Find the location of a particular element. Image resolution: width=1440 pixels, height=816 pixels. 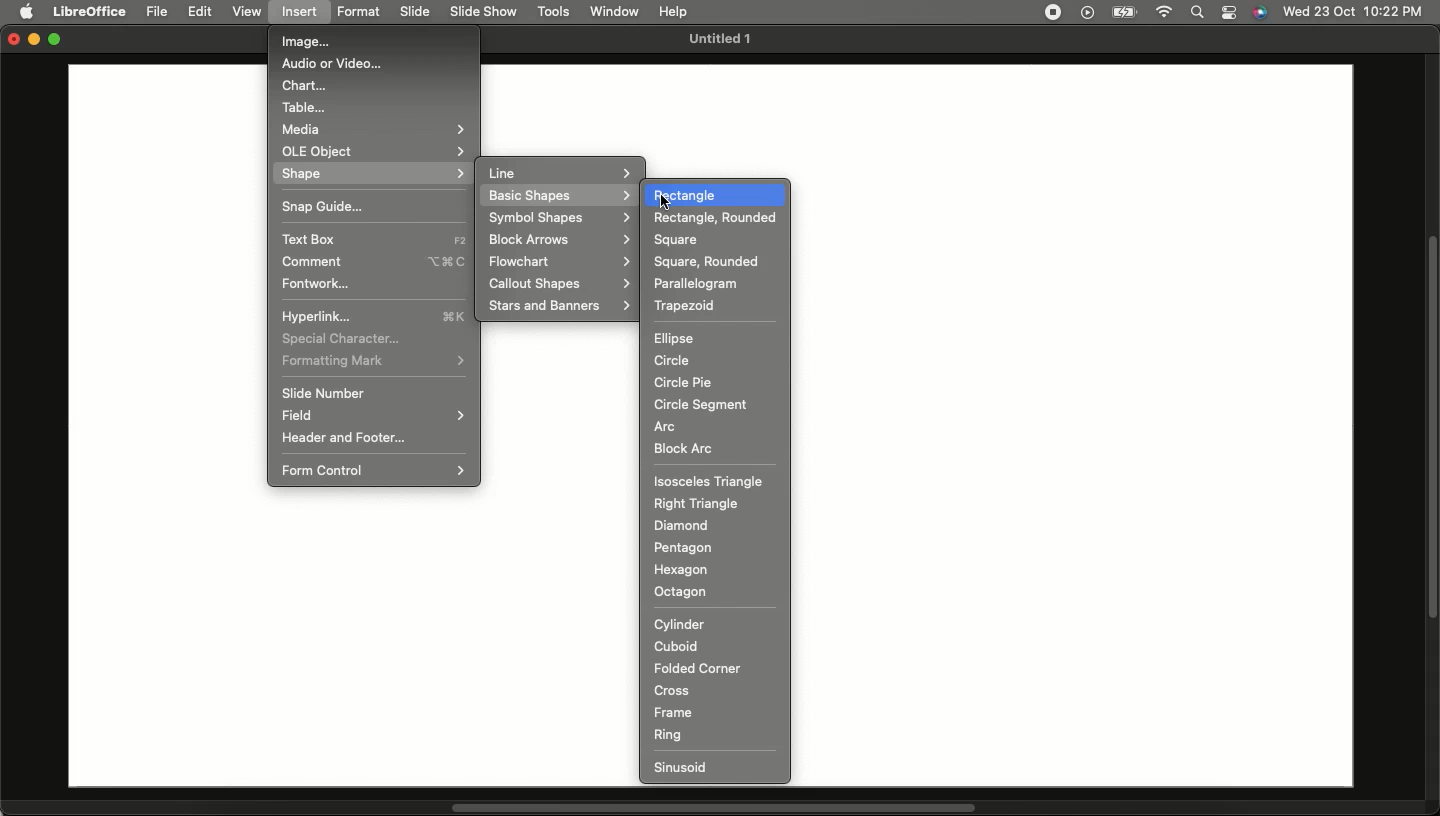

Maximize is located at coordinates (58, 41).